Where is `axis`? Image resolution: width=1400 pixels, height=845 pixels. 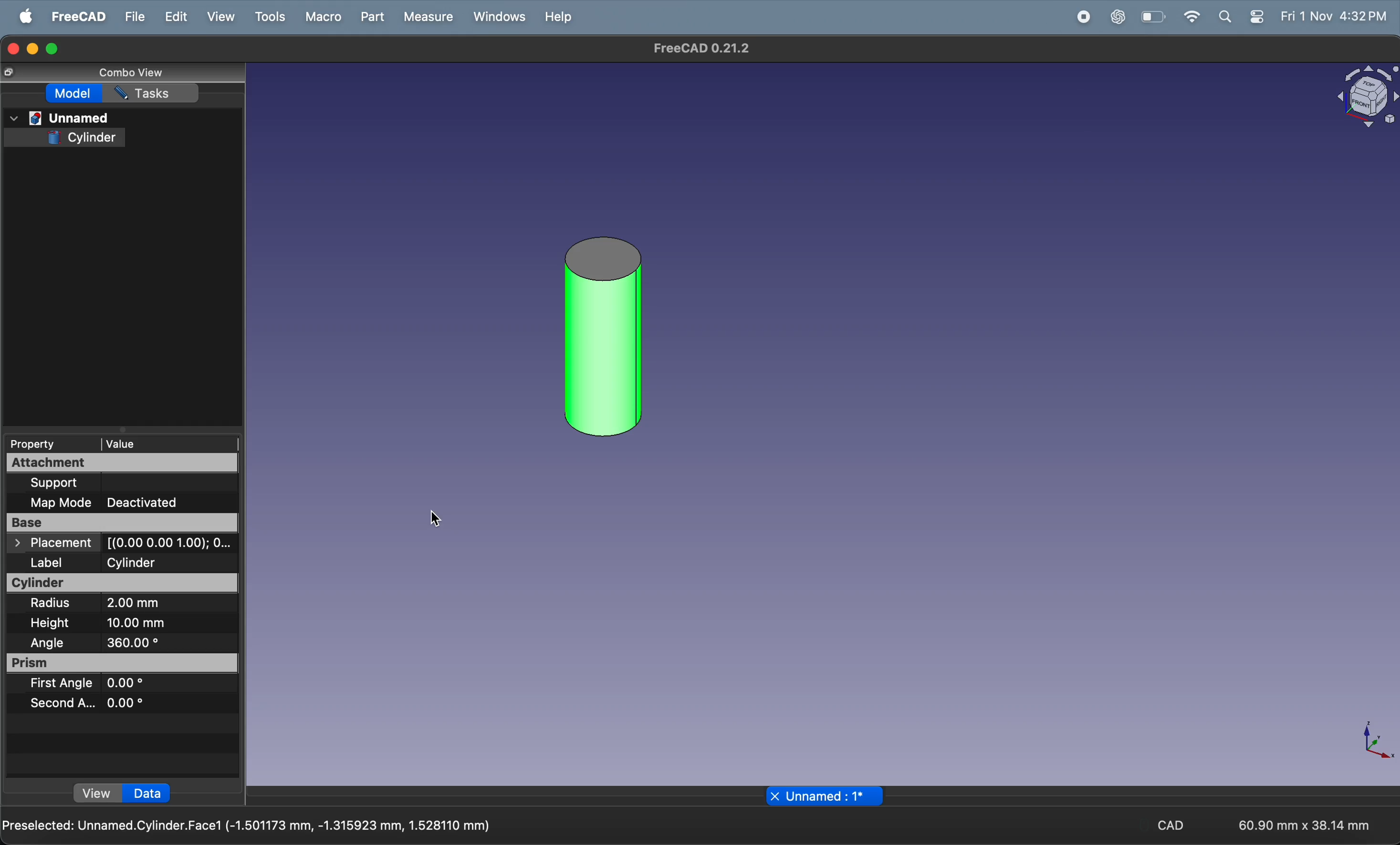
axis is located at coordinates (1375, 743).